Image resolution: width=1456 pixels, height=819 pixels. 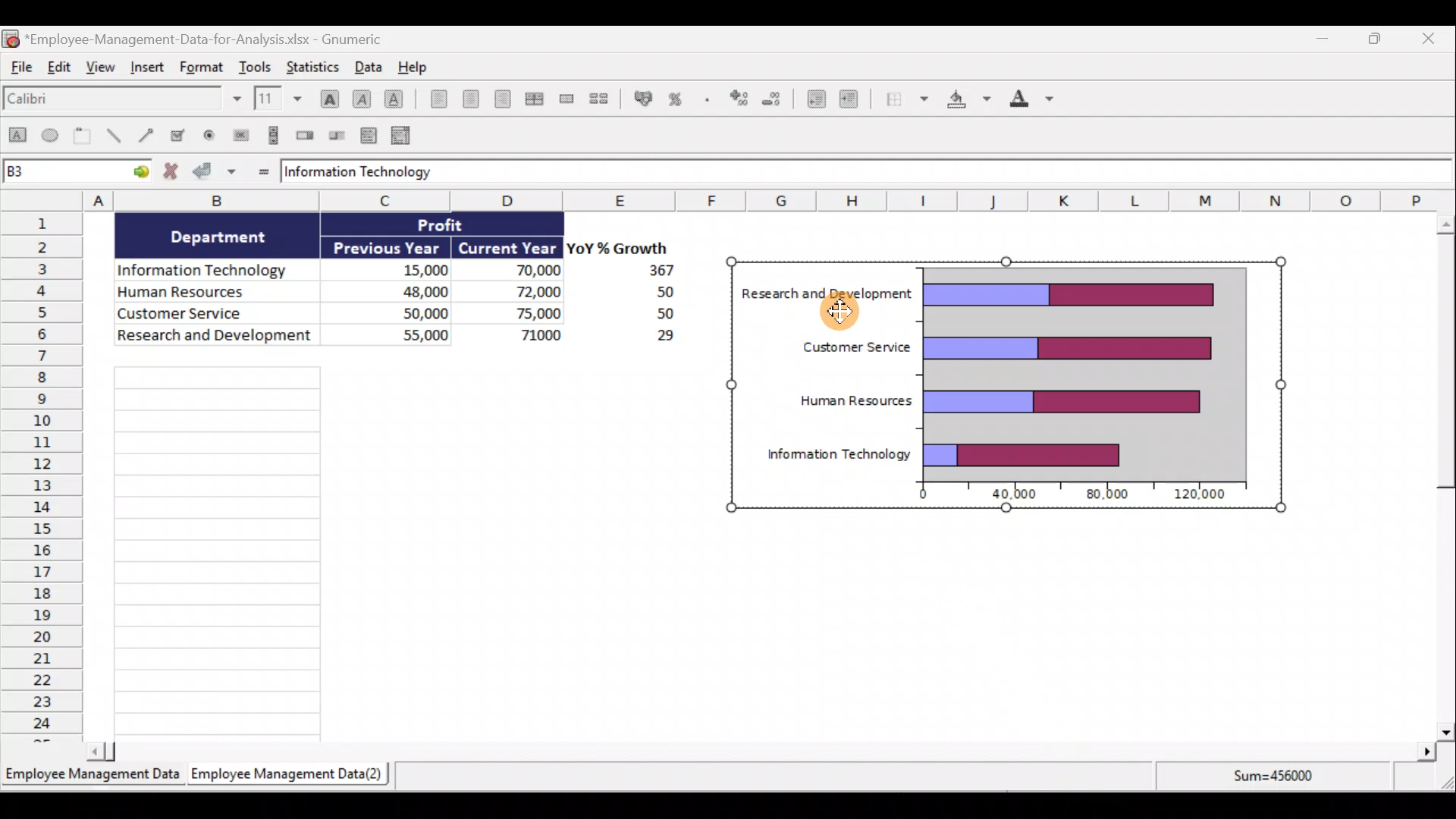 What do you see at coordinates (199, 68) in the screenshot?
I see `Format` at bounding box center [199, 68].